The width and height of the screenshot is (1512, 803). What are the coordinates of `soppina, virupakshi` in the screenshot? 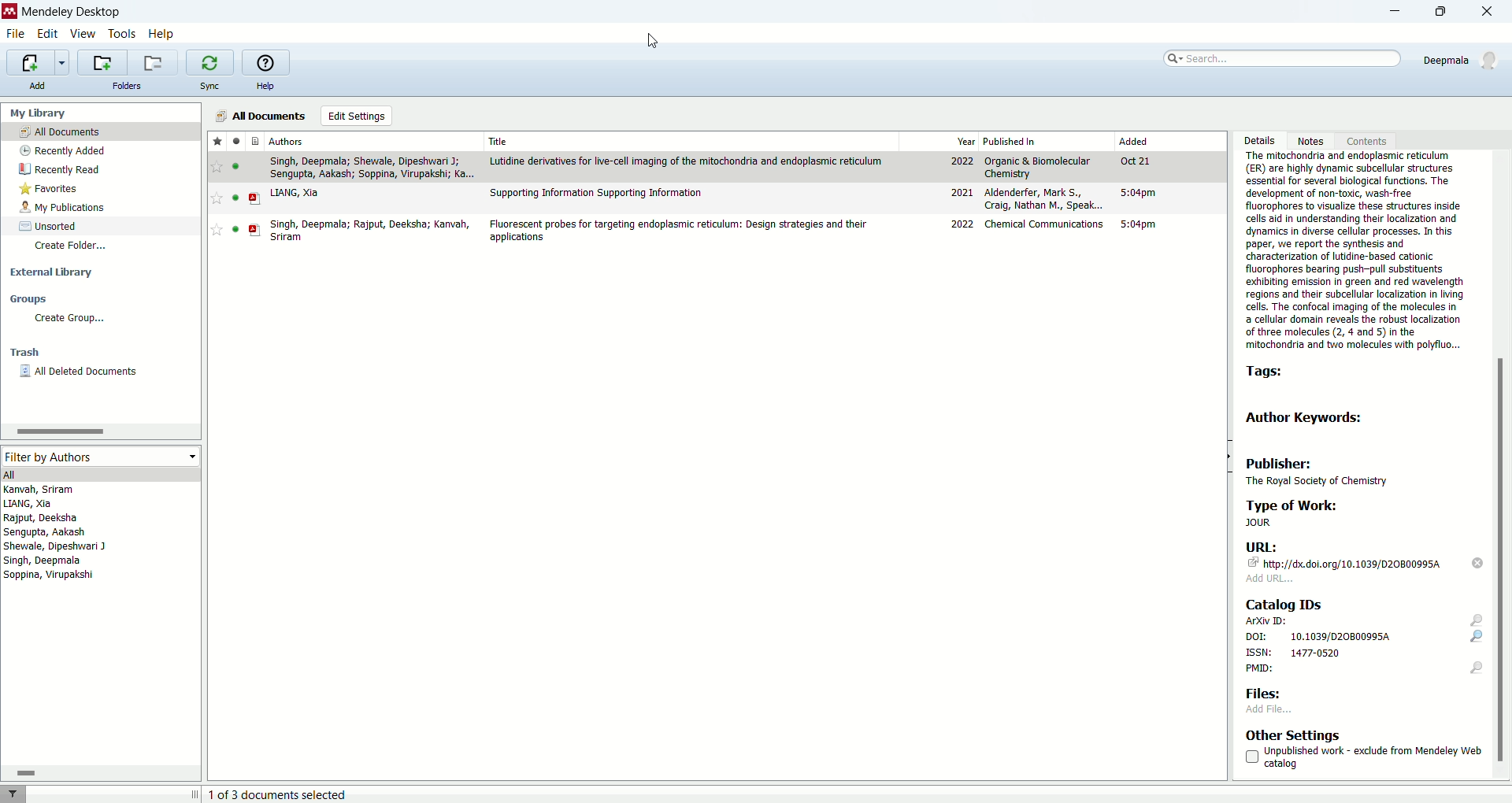 It's located at (50, 574).